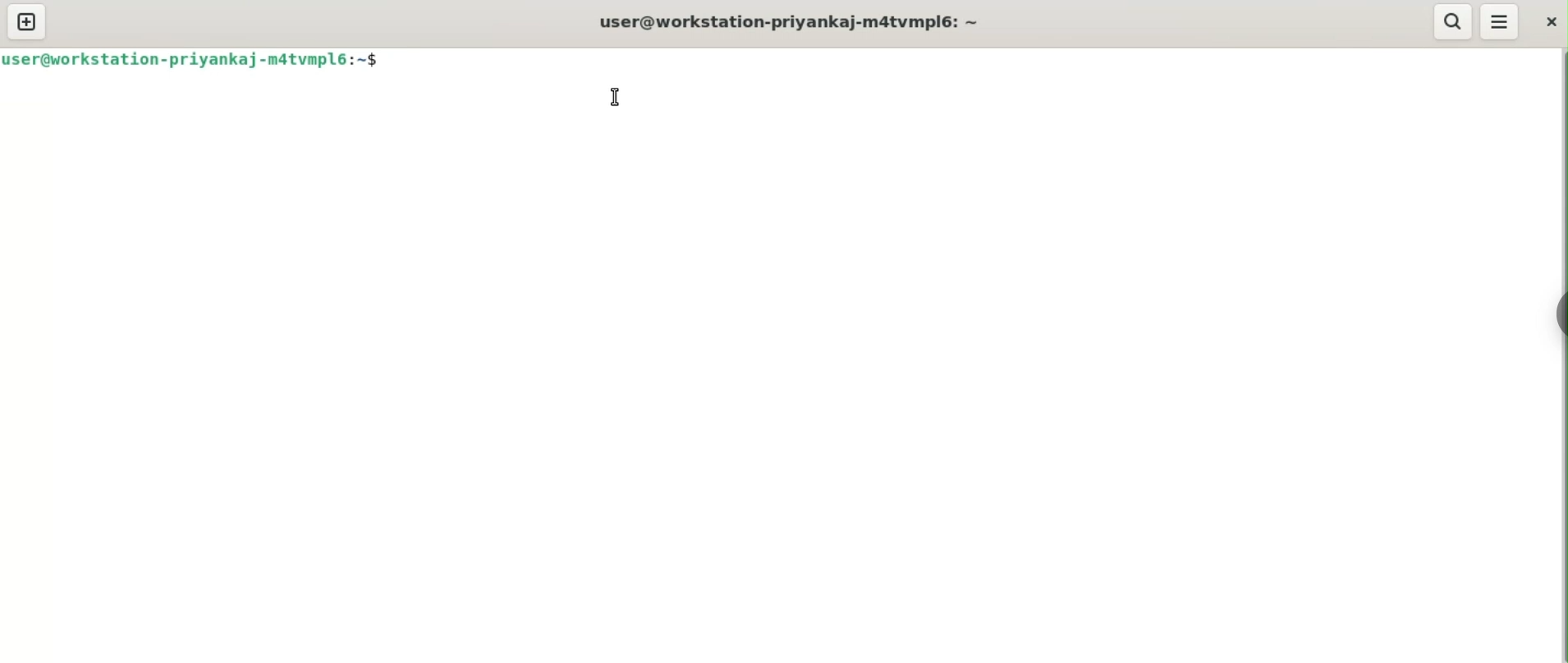  What do you see at coordinates (613, 98) in the screenshot?
I see `cursor` at bounding box center [613, 98].